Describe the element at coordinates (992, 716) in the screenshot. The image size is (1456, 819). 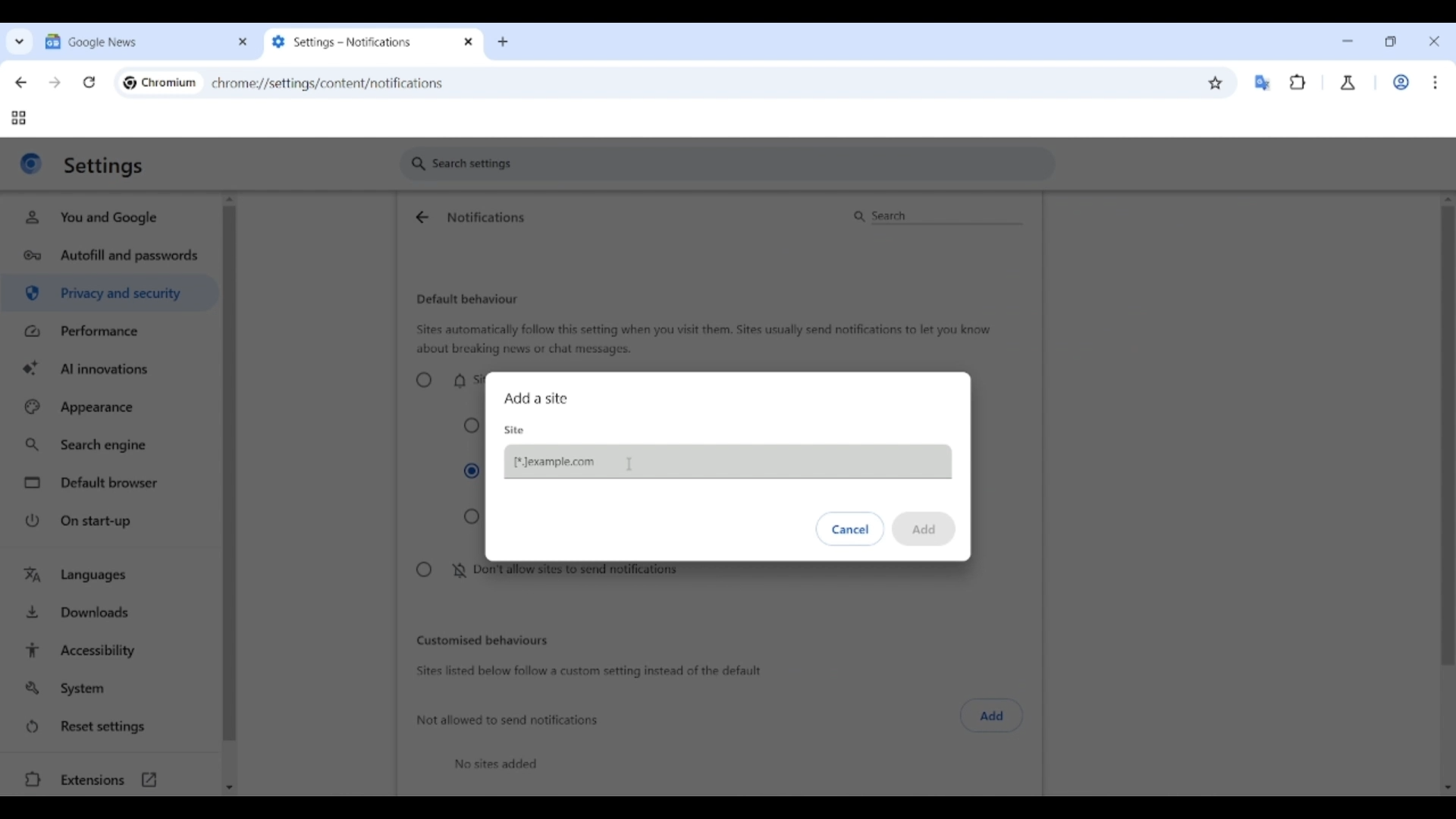
I see `Click to add sites not allowed to send notifications` at that location.